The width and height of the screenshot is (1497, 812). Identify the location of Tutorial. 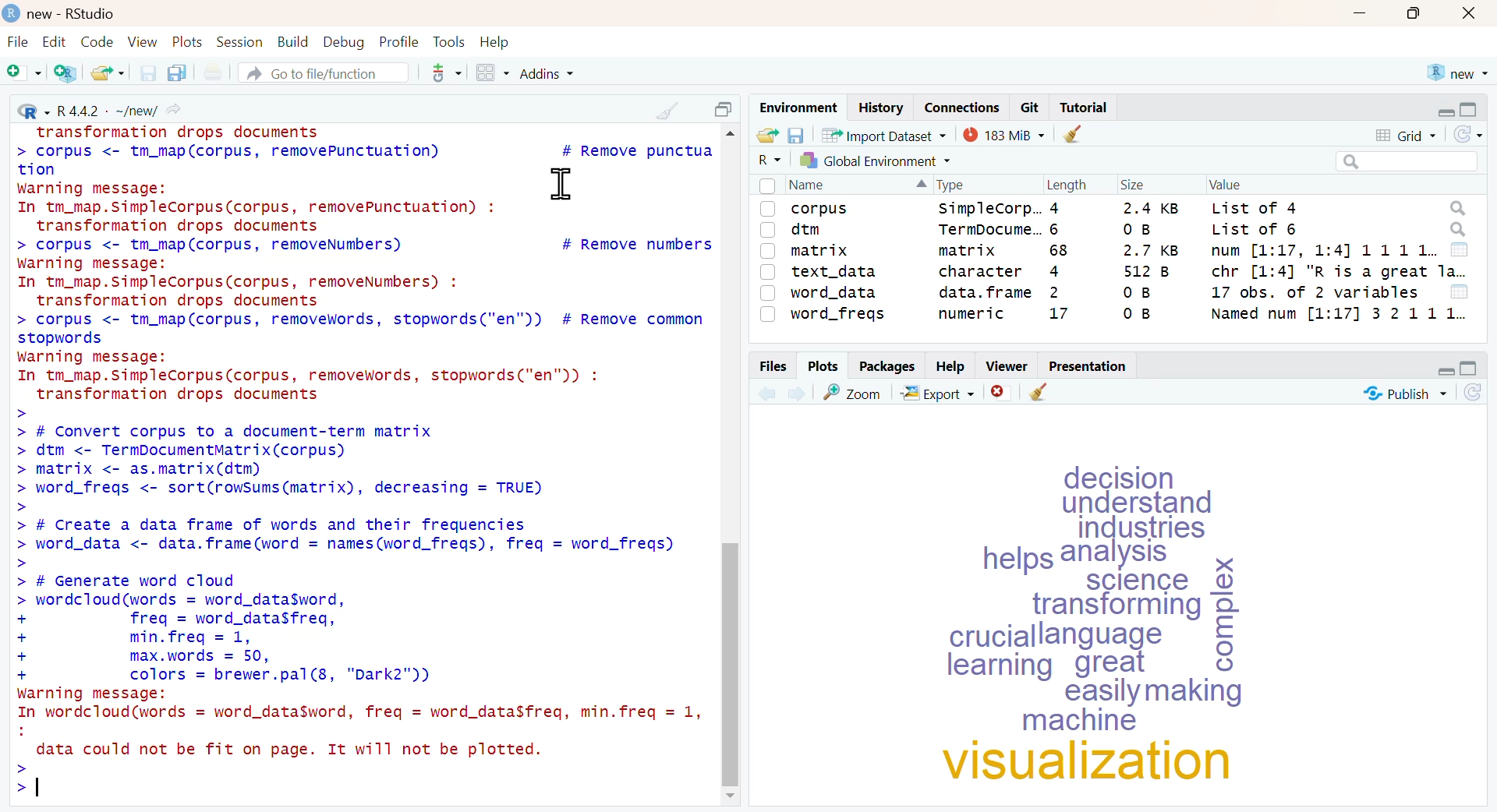
(1086, 108).